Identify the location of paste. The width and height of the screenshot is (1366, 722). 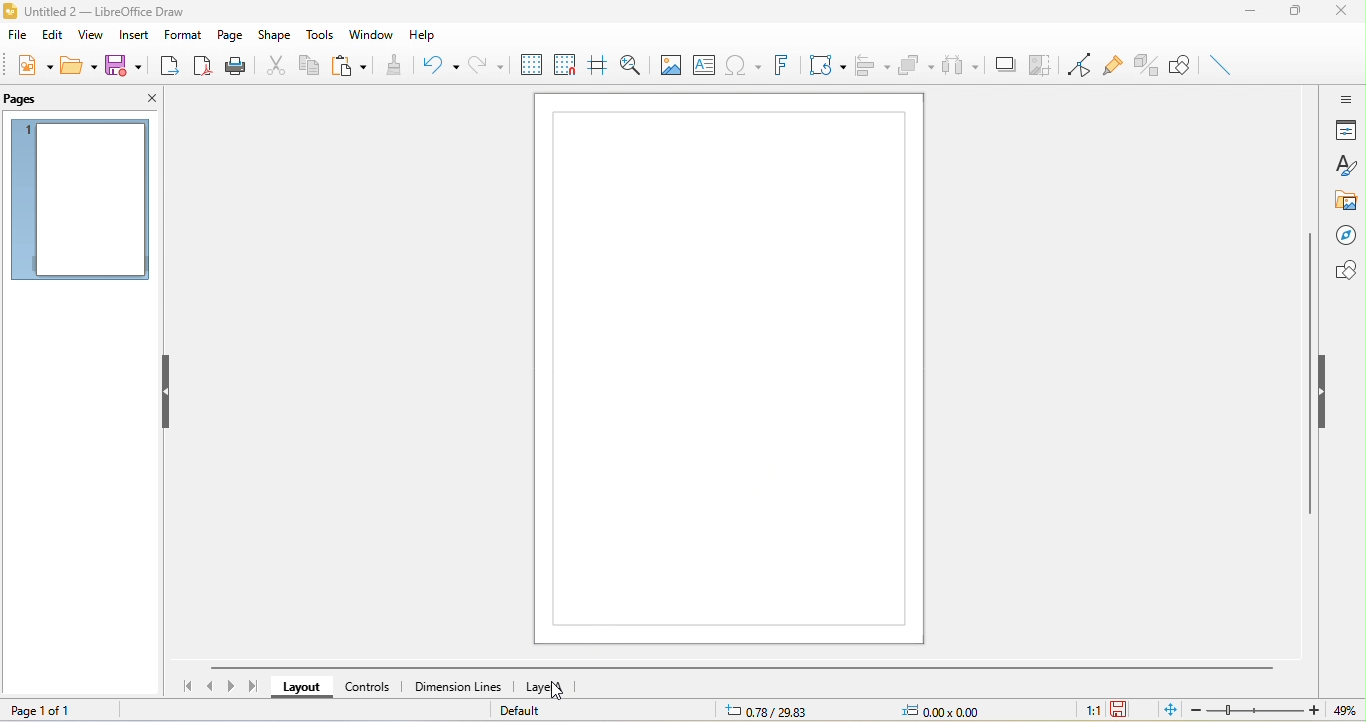
(349, 69).